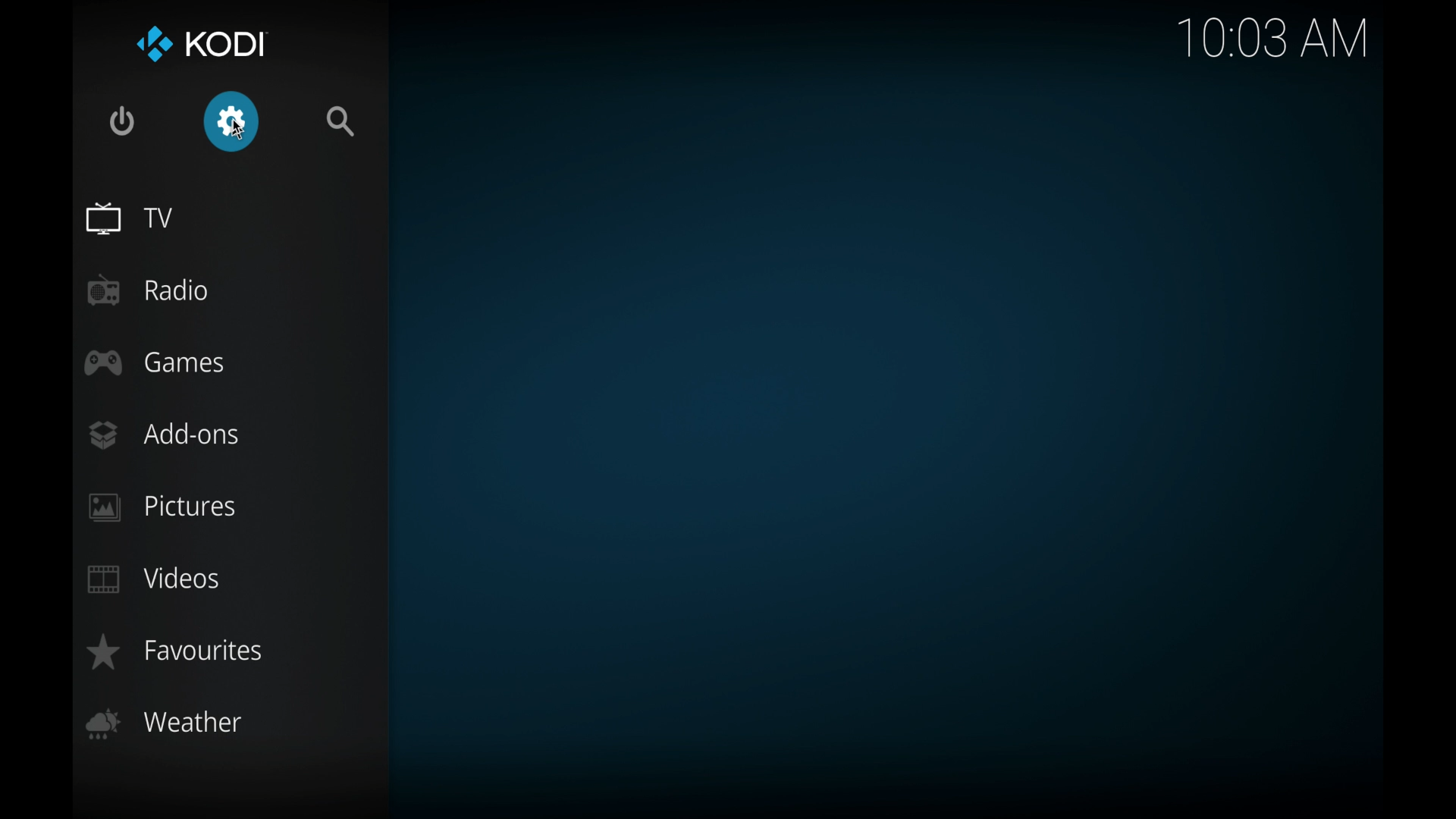 This screenshot has height=819, width=1456. I want to click on time, so click(1278, 42).